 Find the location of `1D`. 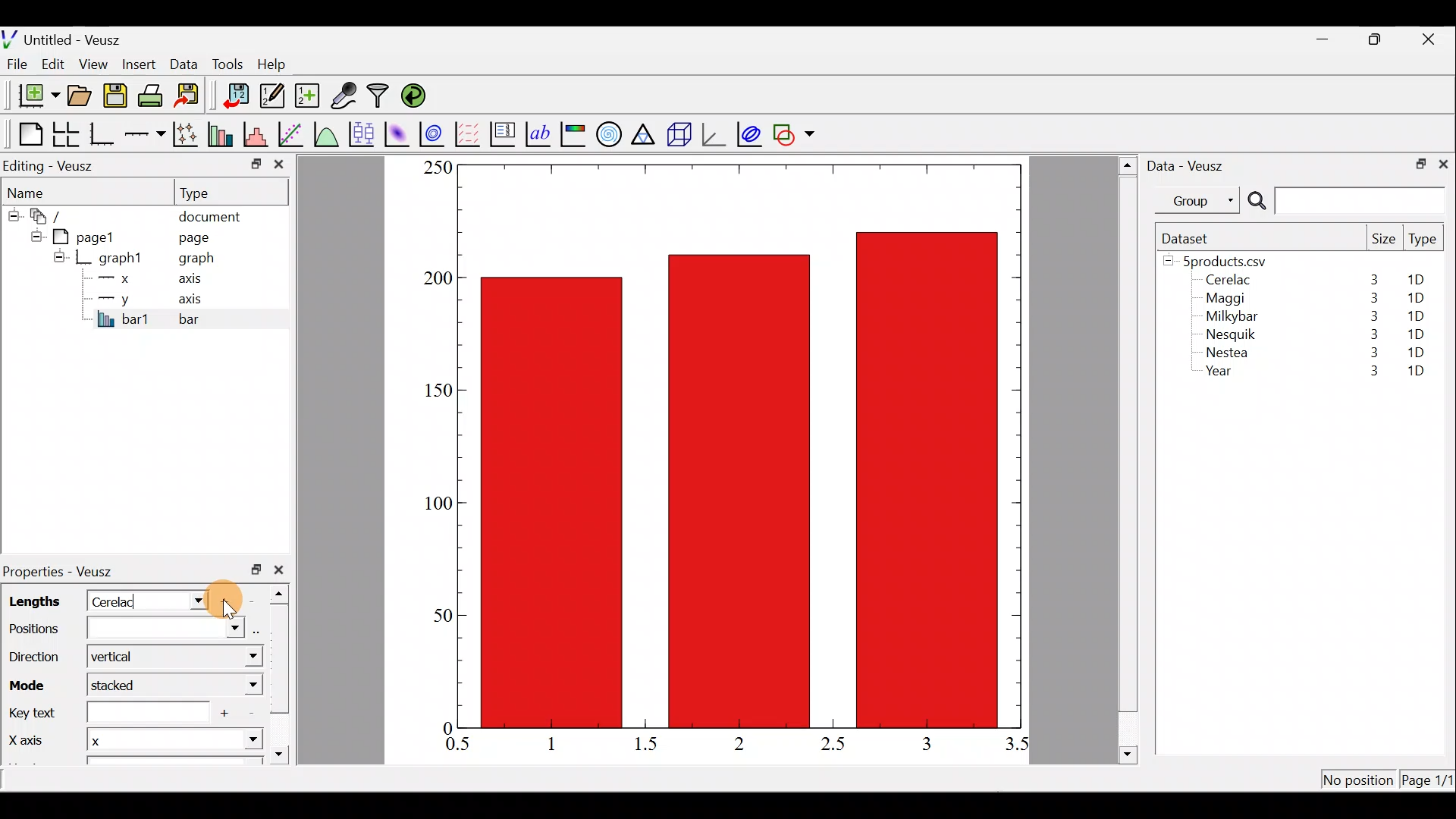

1D is located at coordinates (1421, 280).